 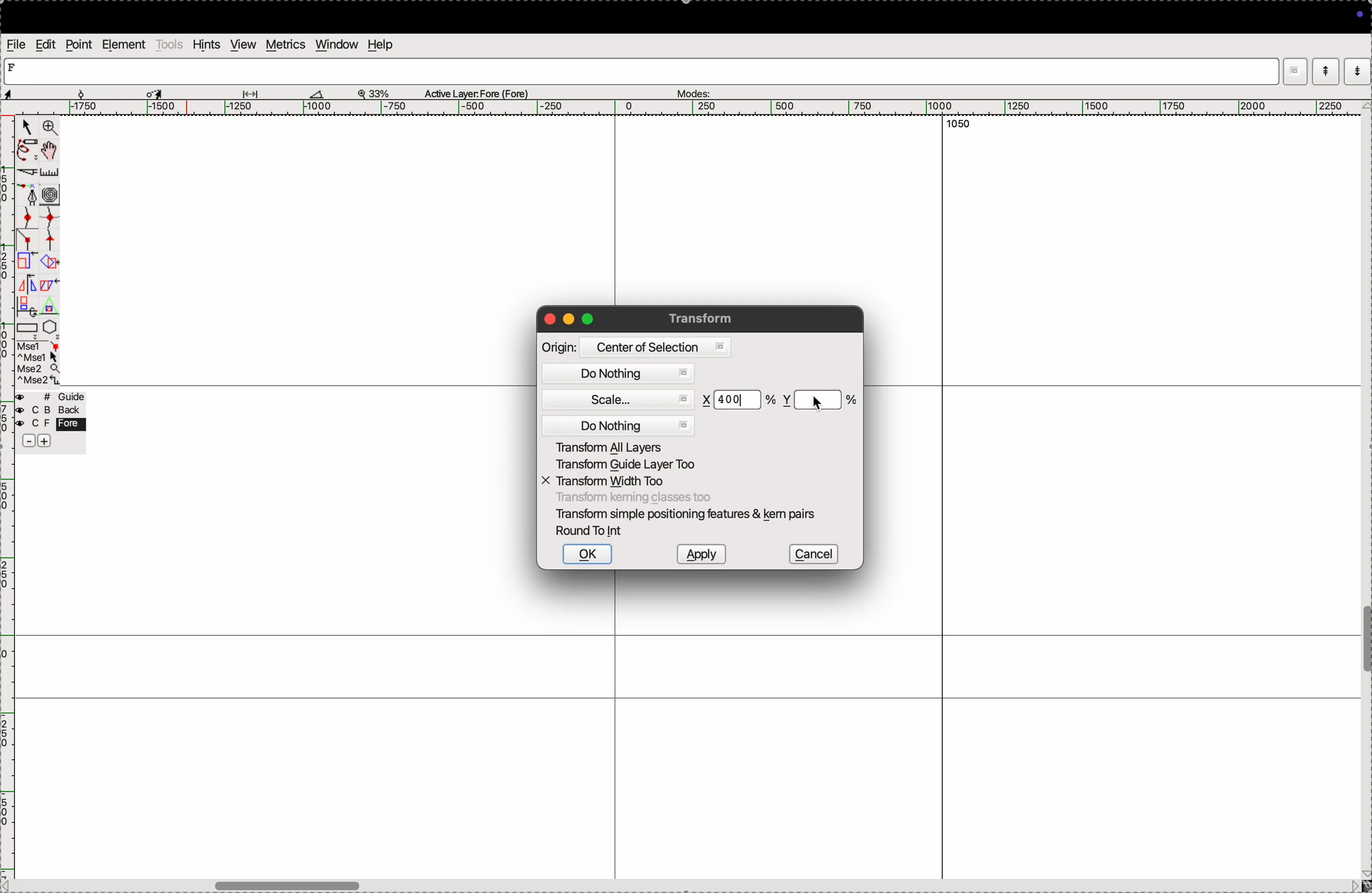 I want to click on sbubtract, so click(x=24, y=442).